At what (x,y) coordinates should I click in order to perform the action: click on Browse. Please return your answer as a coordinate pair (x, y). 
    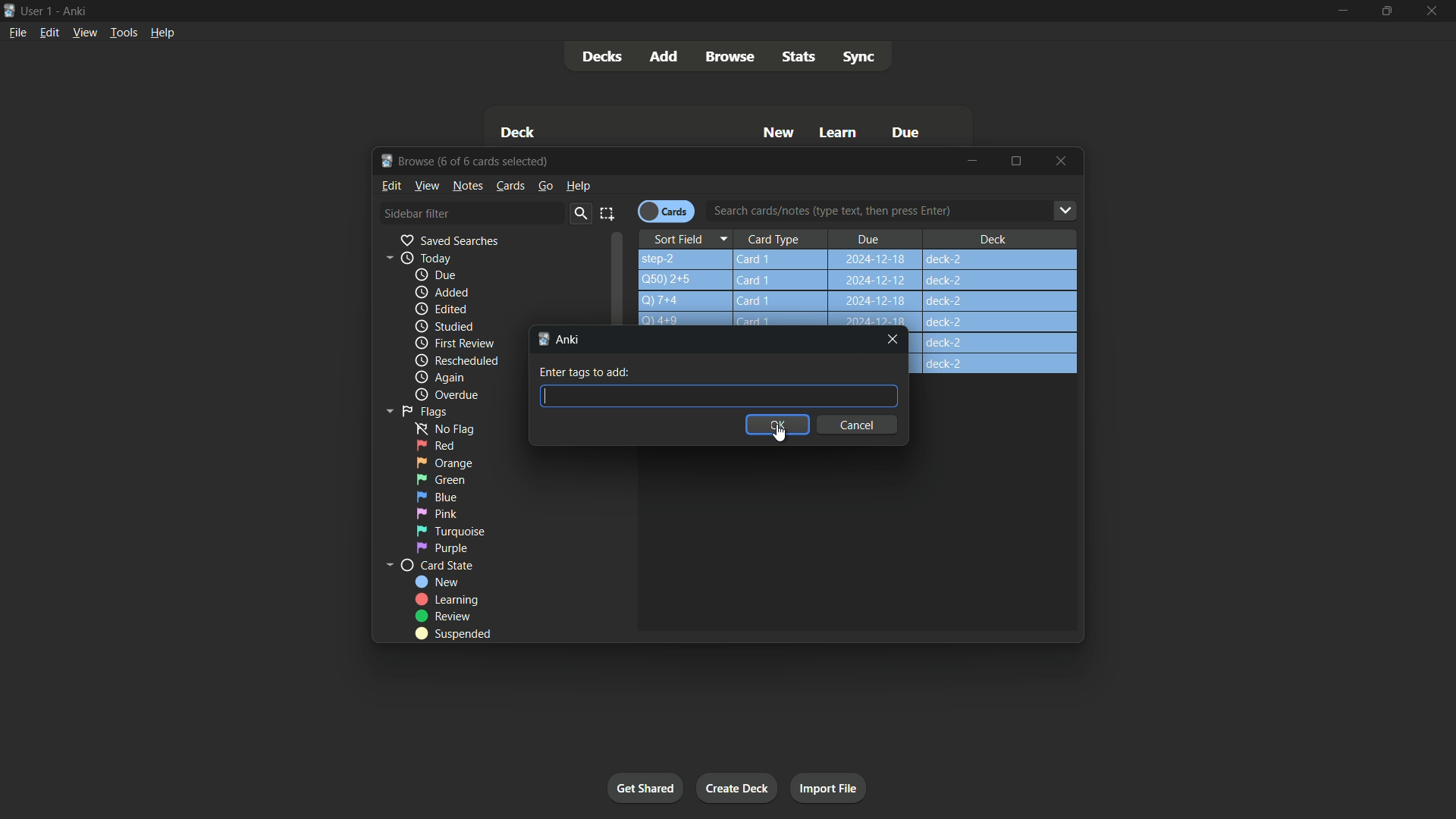
    Looking at the image, I should click on (408, 160).